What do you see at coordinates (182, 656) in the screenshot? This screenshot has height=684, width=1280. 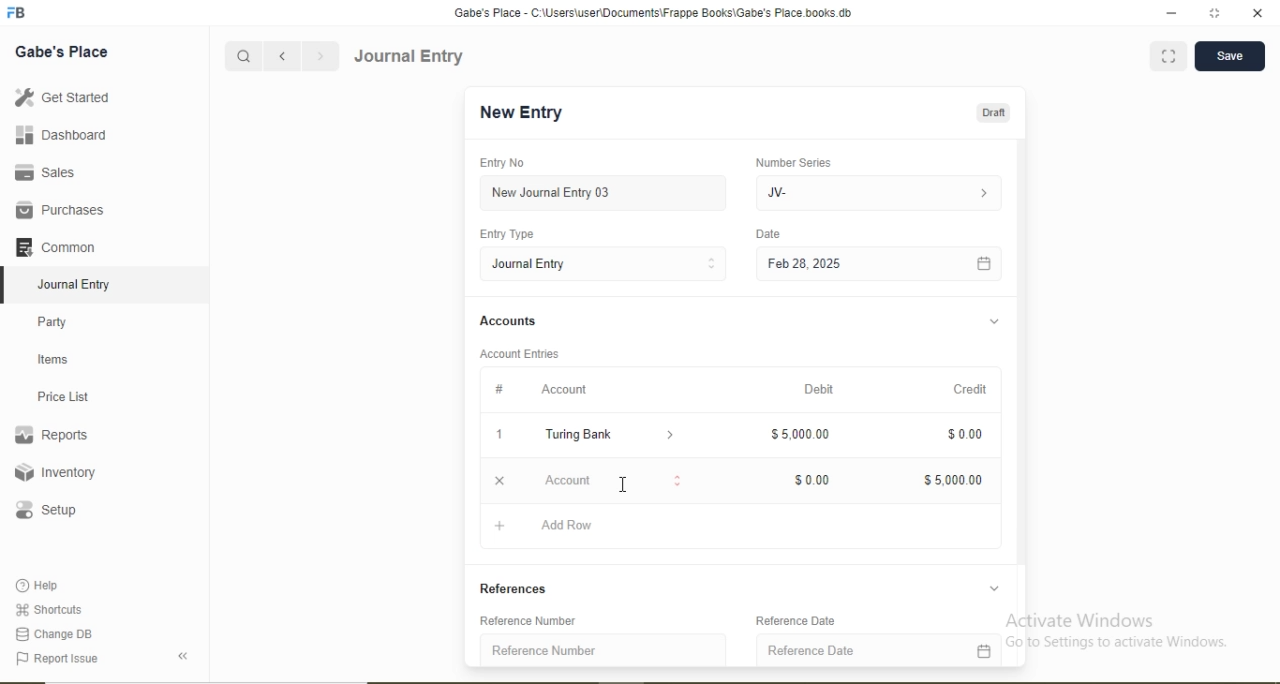 I see `Back` at bounding box center [182, 656].